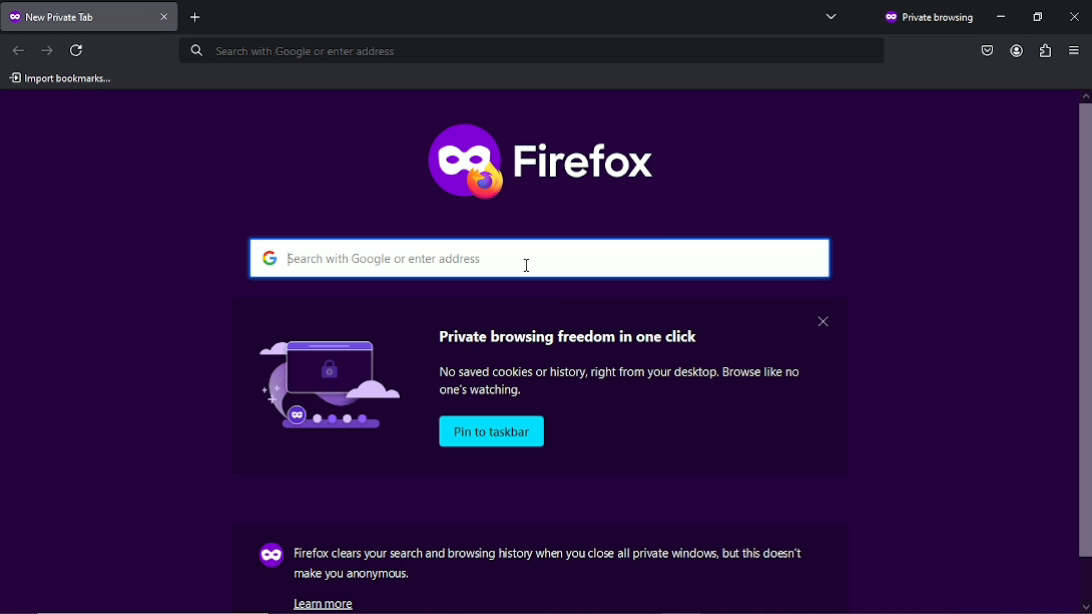  Describe the element at coordinates (353, 575) in the screenshot. I see `make you anonymous.` at that location.